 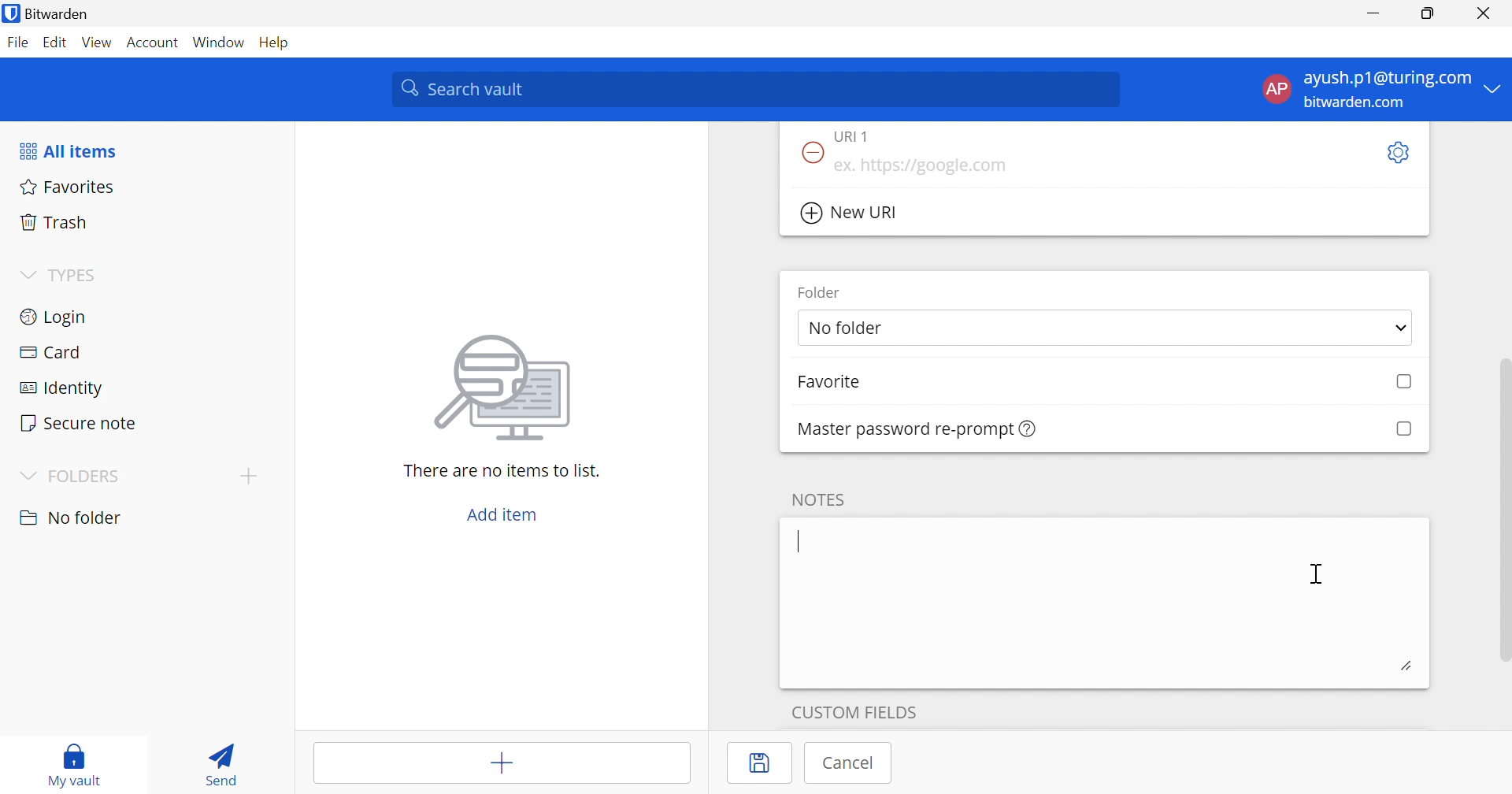 I want to click on Scroll Bar, so click(x=1503, y=495).